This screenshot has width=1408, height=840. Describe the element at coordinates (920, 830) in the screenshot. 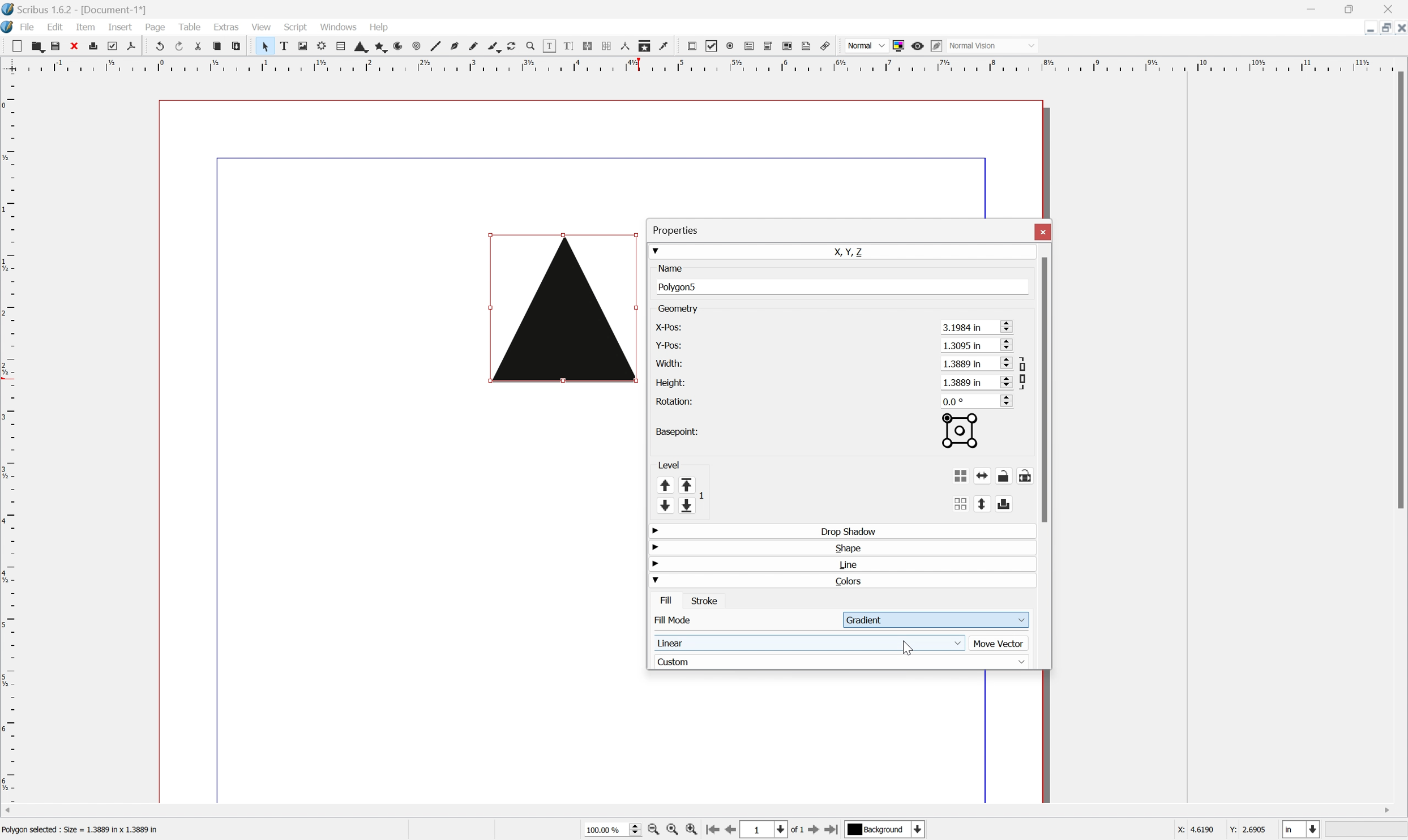

I see `Select current layer` at that location.